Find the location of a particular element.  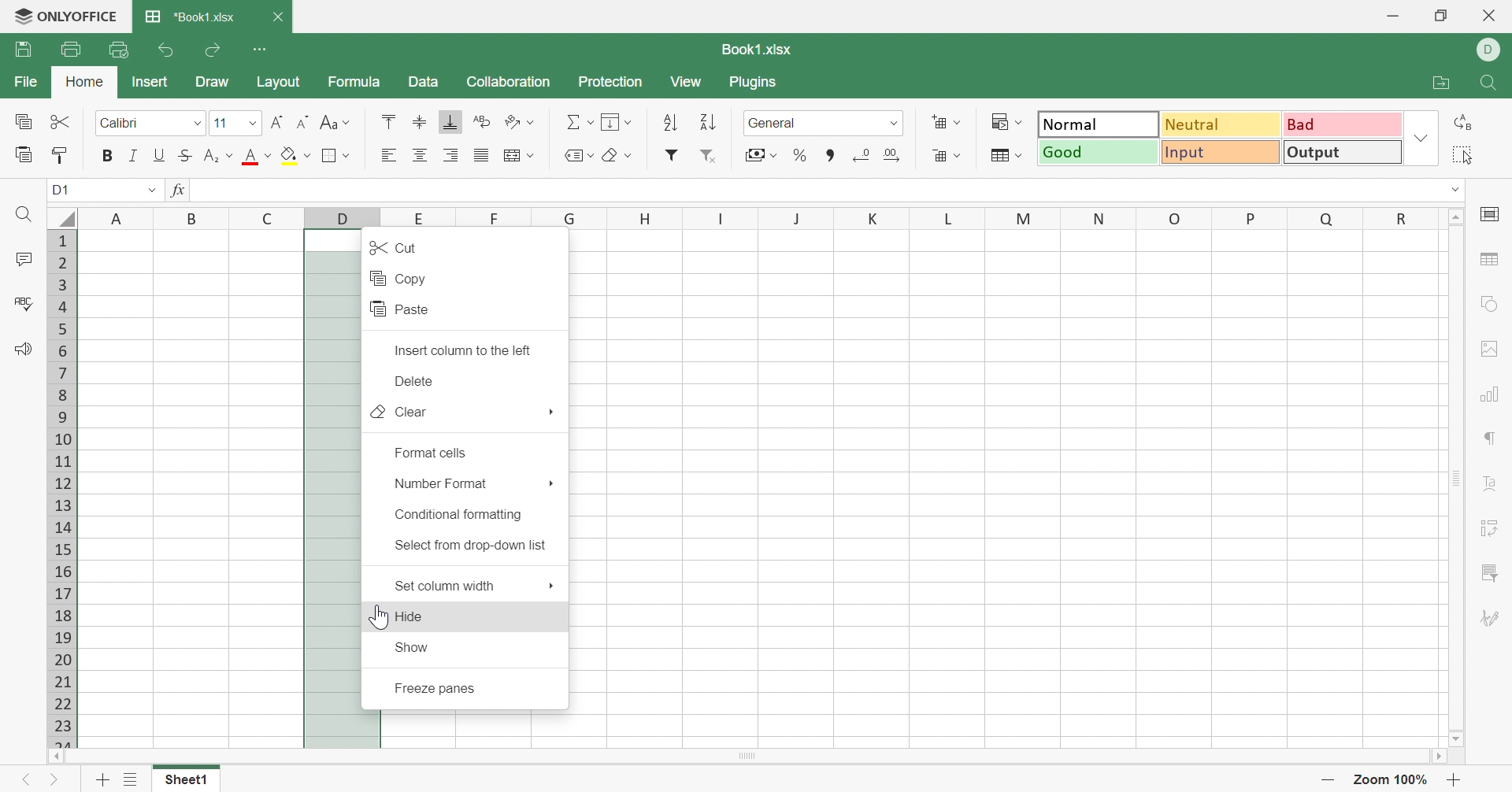

Drop Down is located at coordinates (254, 124).